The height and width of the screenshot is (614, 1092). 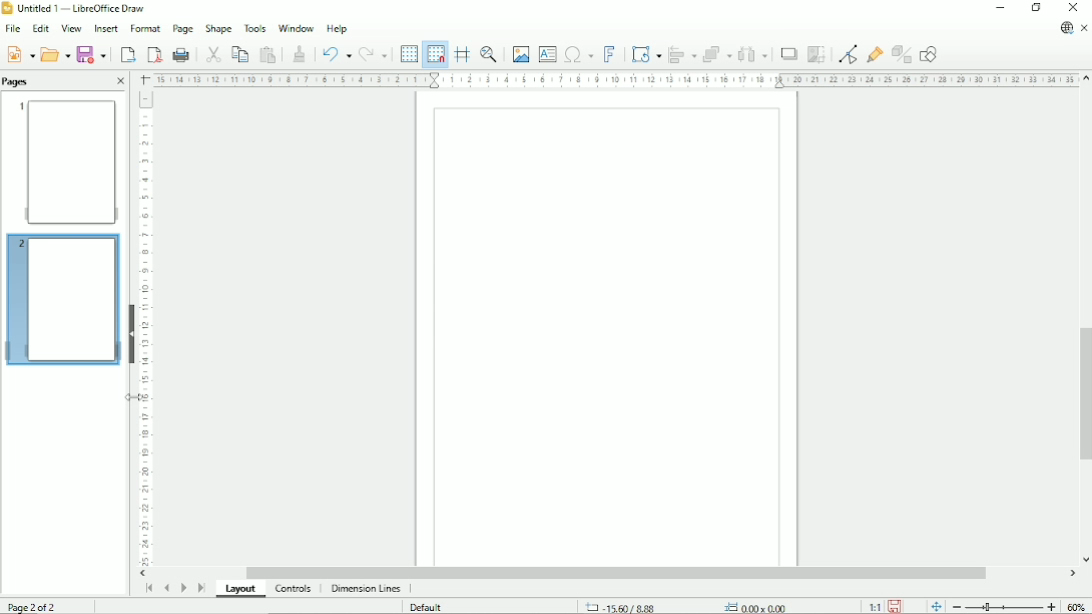 I want to click on Export, so click(x=126, y=54).